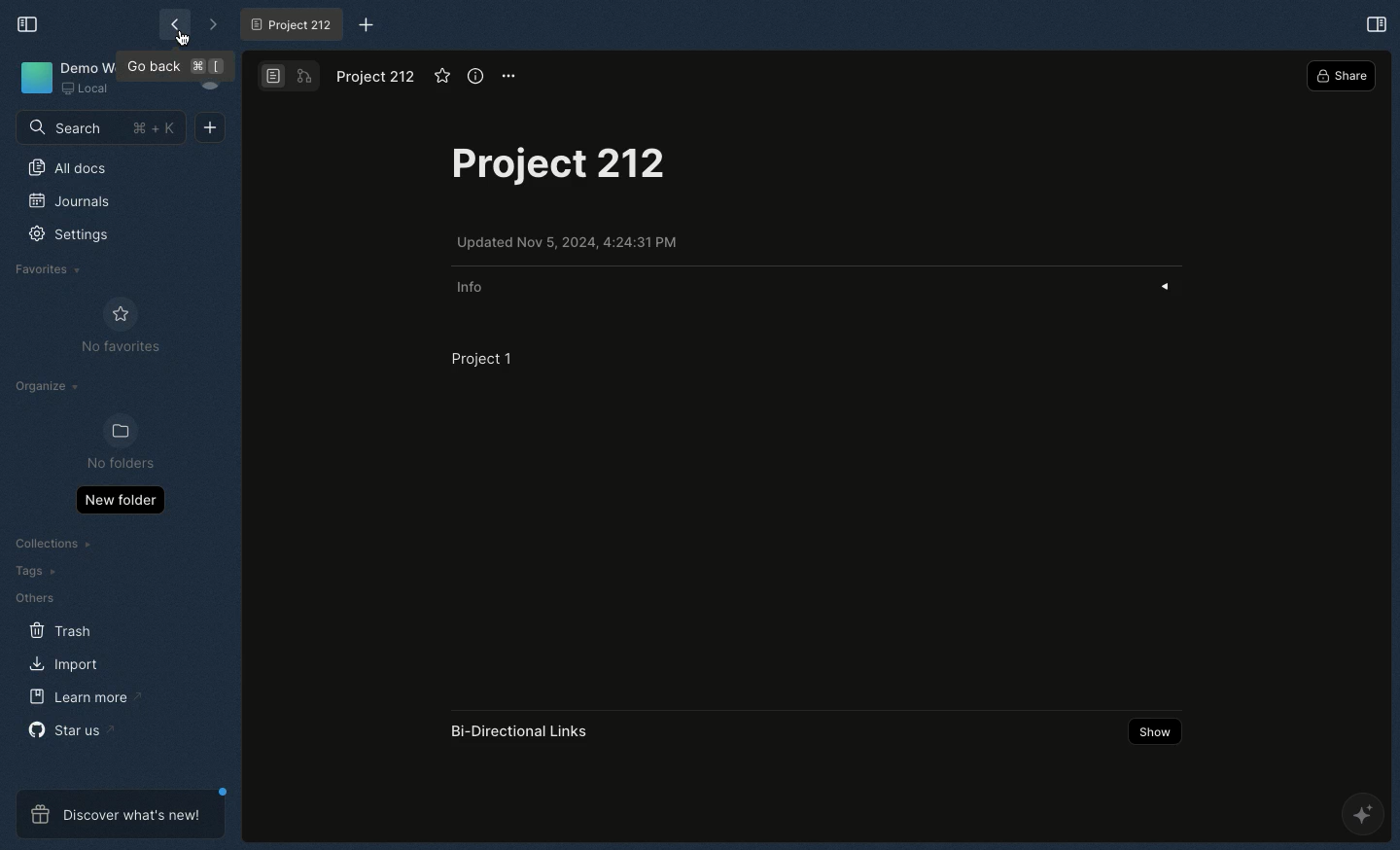  Describe the element at coordinates (60, 631) in the screenshot. I see `Trash` at that location.